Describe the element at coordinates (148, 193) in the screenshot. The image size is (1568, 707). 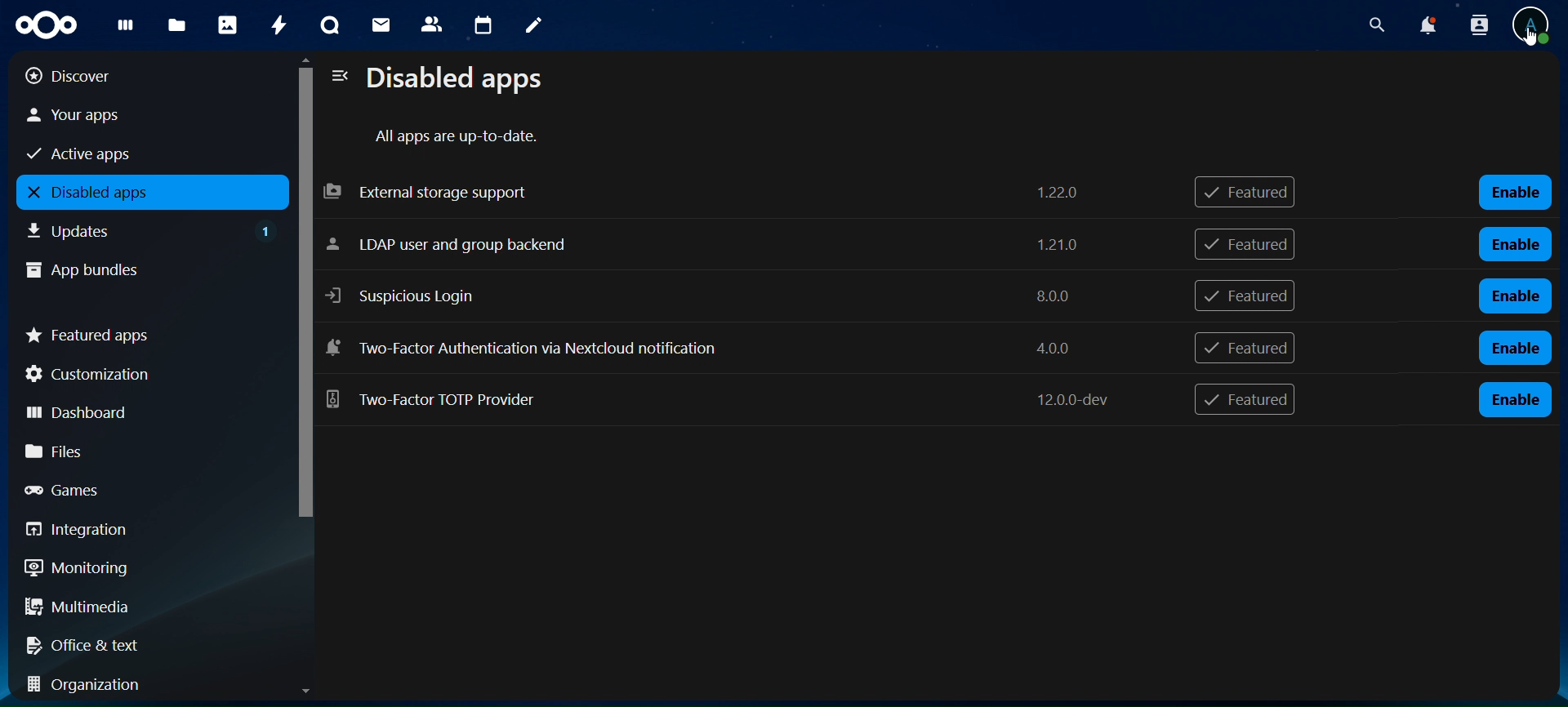
I see `disabled apps` at that location.